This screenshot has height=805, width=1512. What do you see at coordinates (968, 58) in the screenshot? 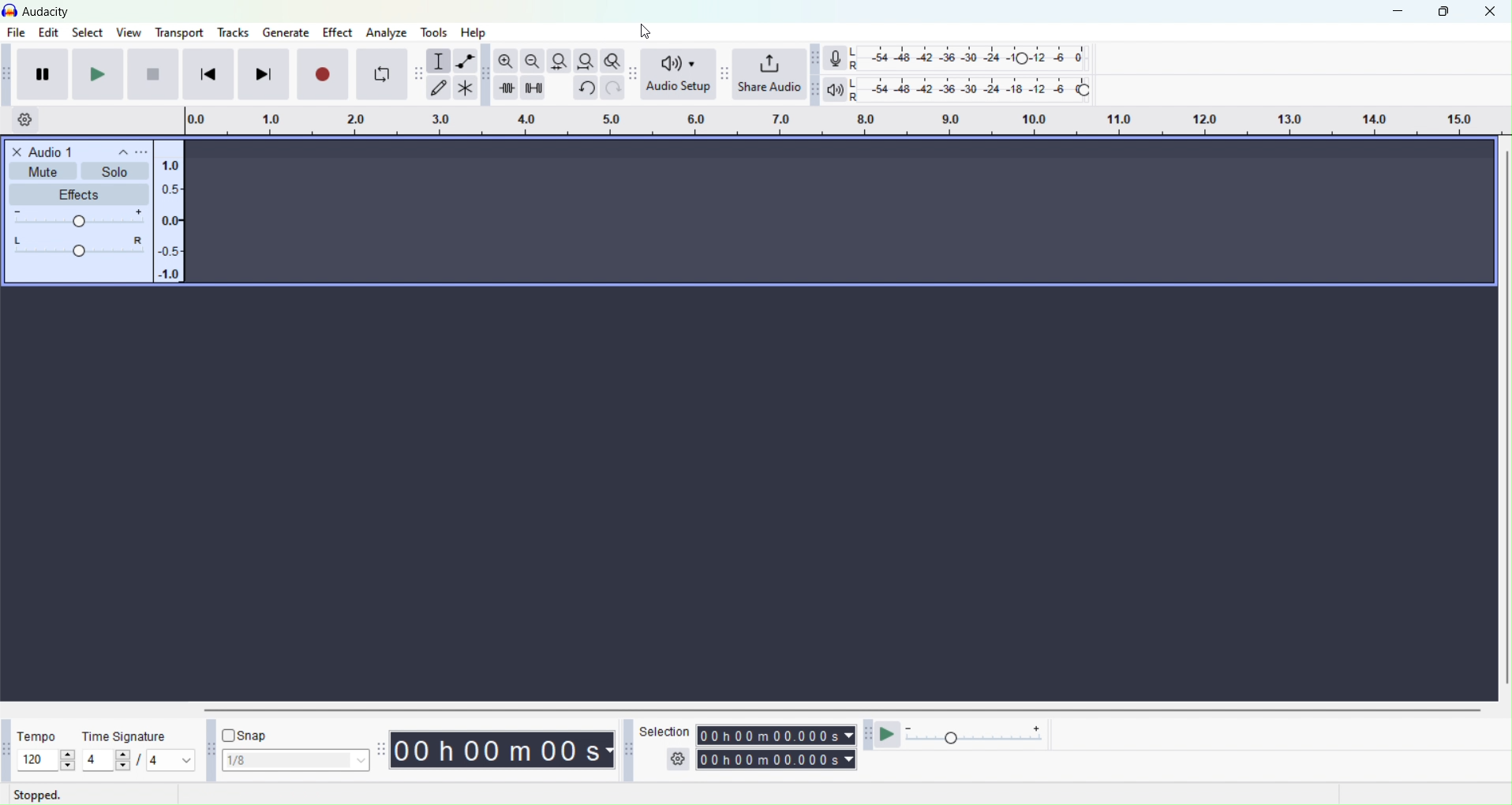
I see `Recording level` at bounding box center [968, 58].